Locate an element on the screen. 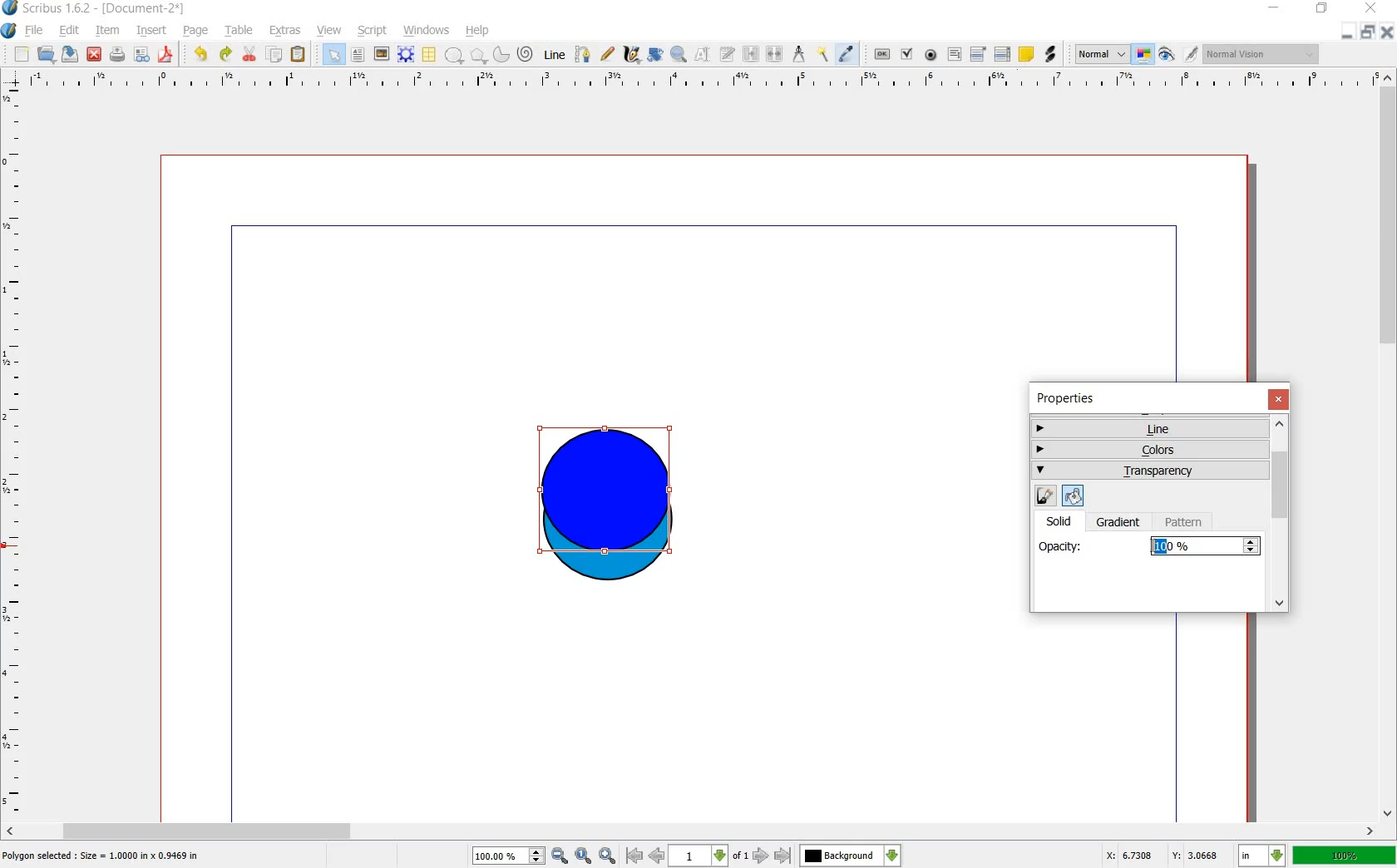 This screenshot has width=1397, height=868. new is located at coordinates (22, 55).